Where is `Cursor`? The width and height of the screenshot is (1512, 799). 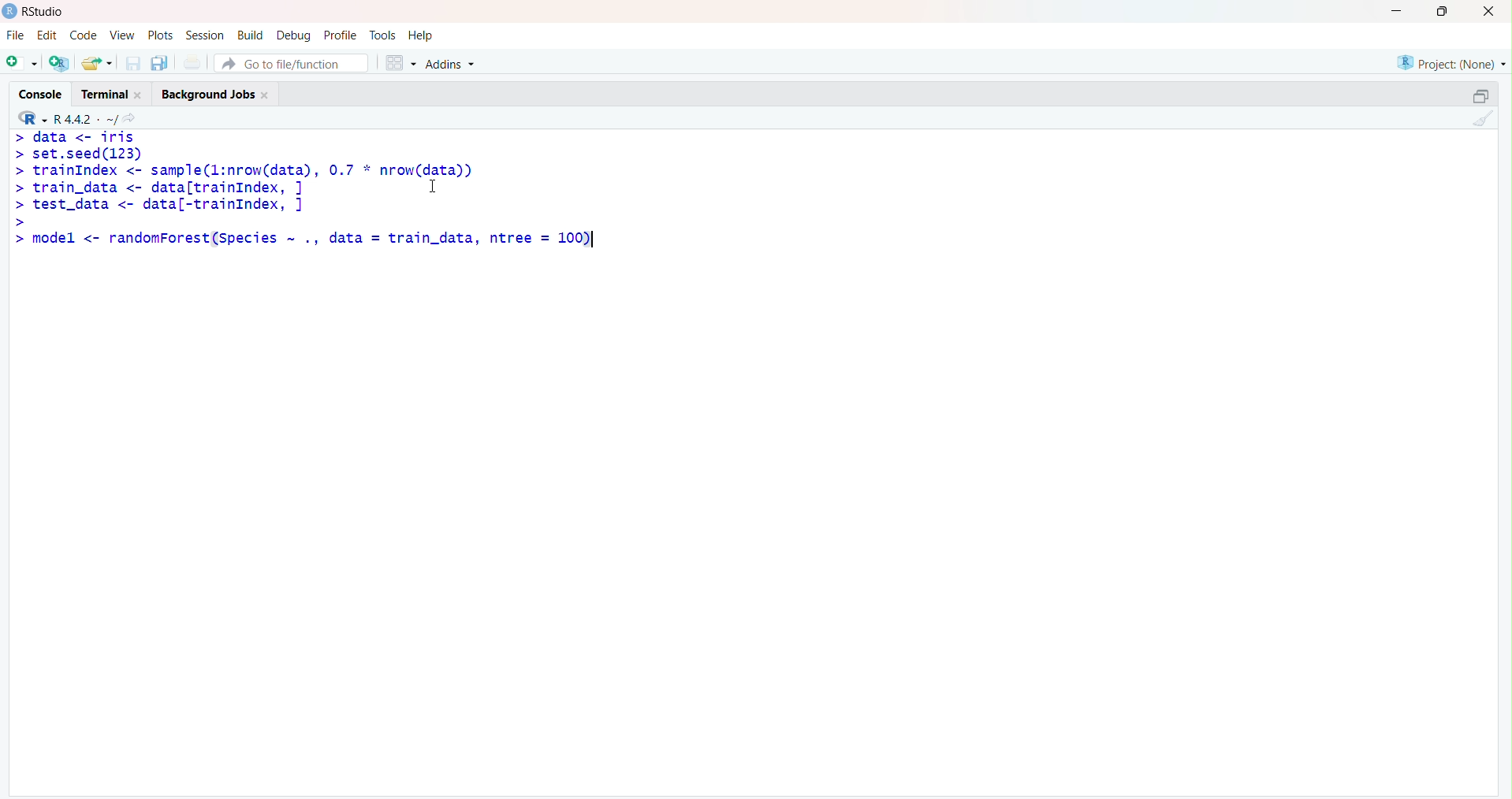 Cursor is located at coordinates (440, 186).